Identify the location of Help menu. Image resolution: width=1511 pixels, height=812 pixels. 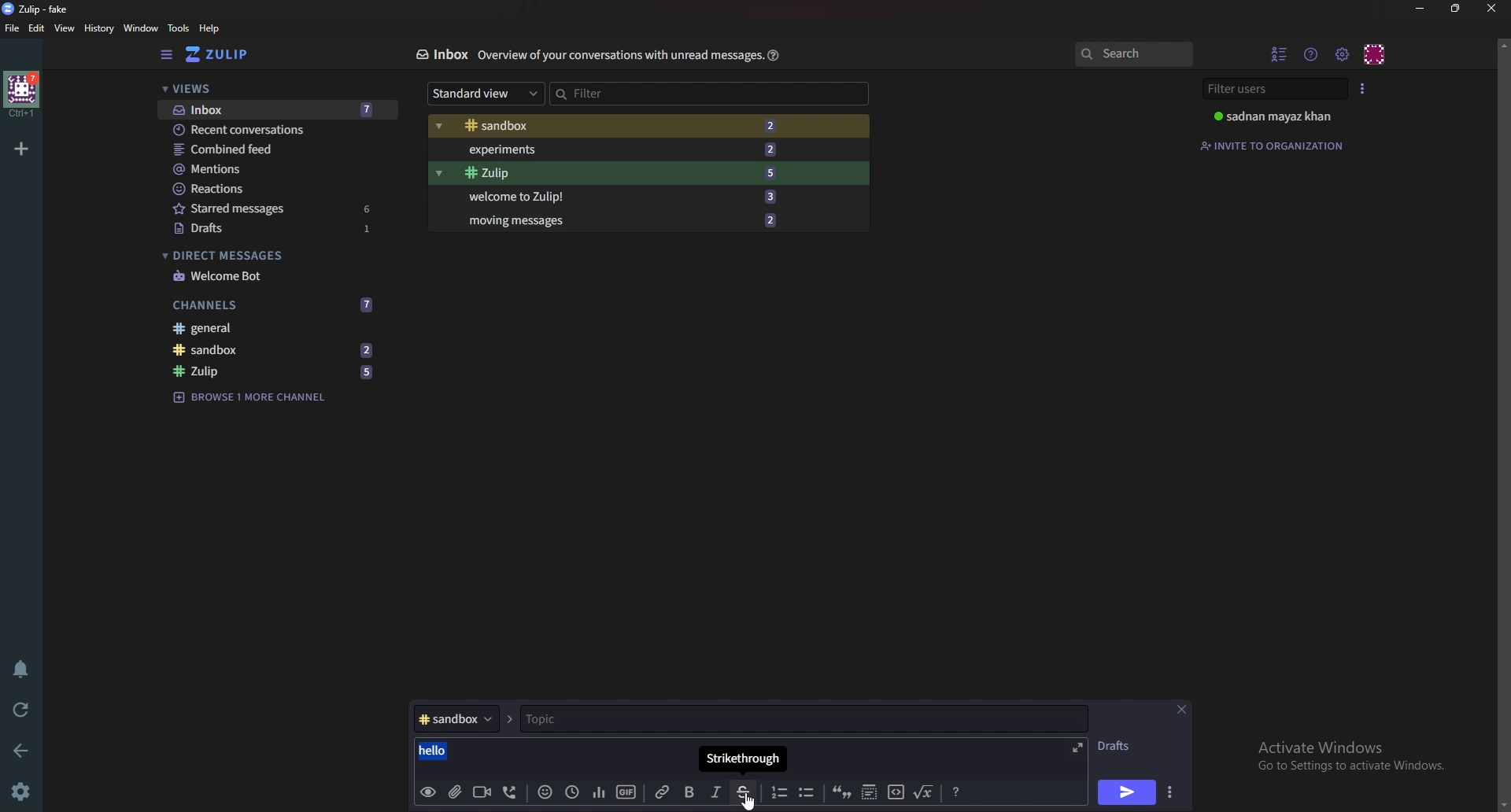
(1313, 54).